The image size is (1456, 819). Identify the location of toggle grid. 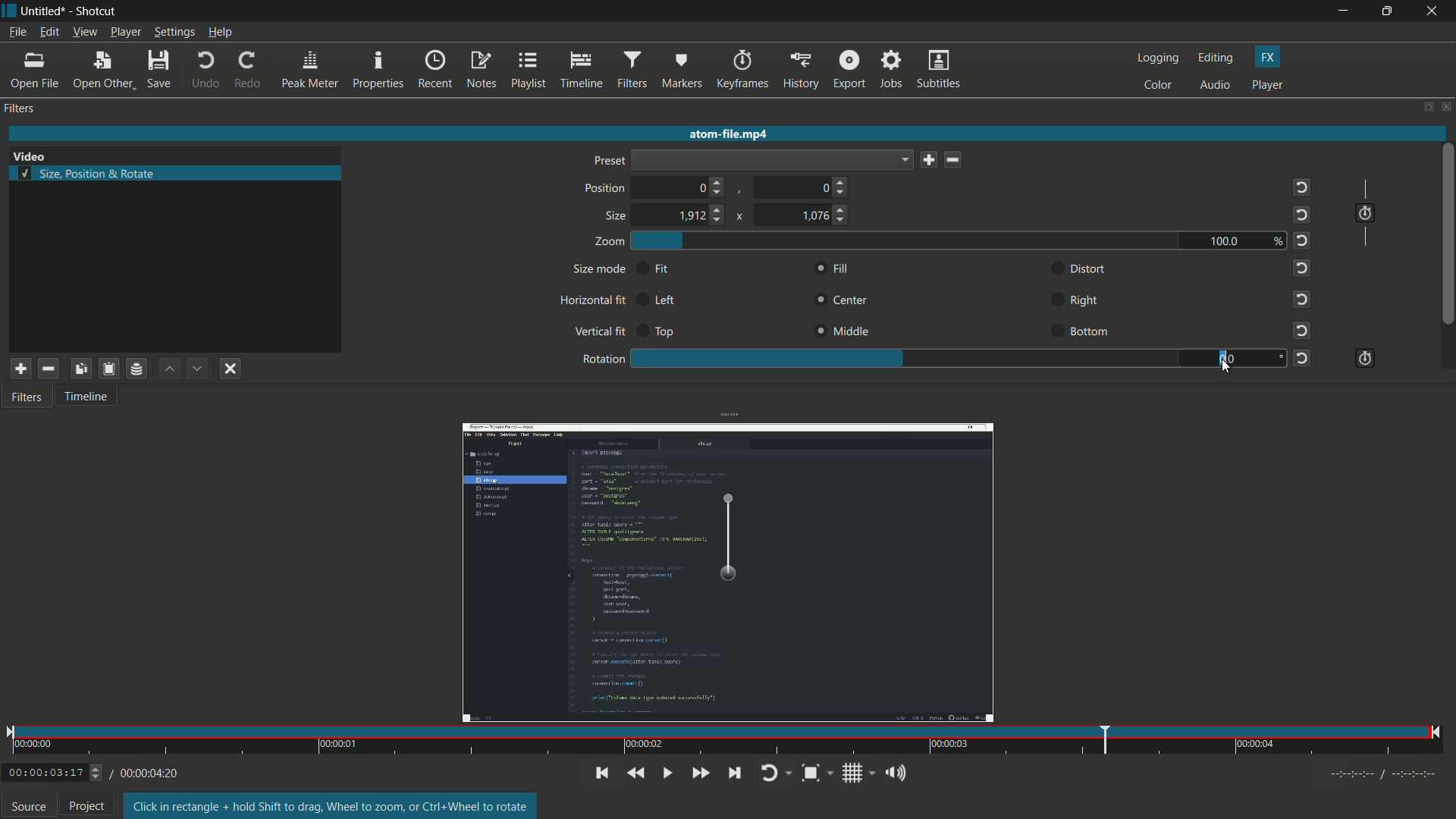
(854, 773).